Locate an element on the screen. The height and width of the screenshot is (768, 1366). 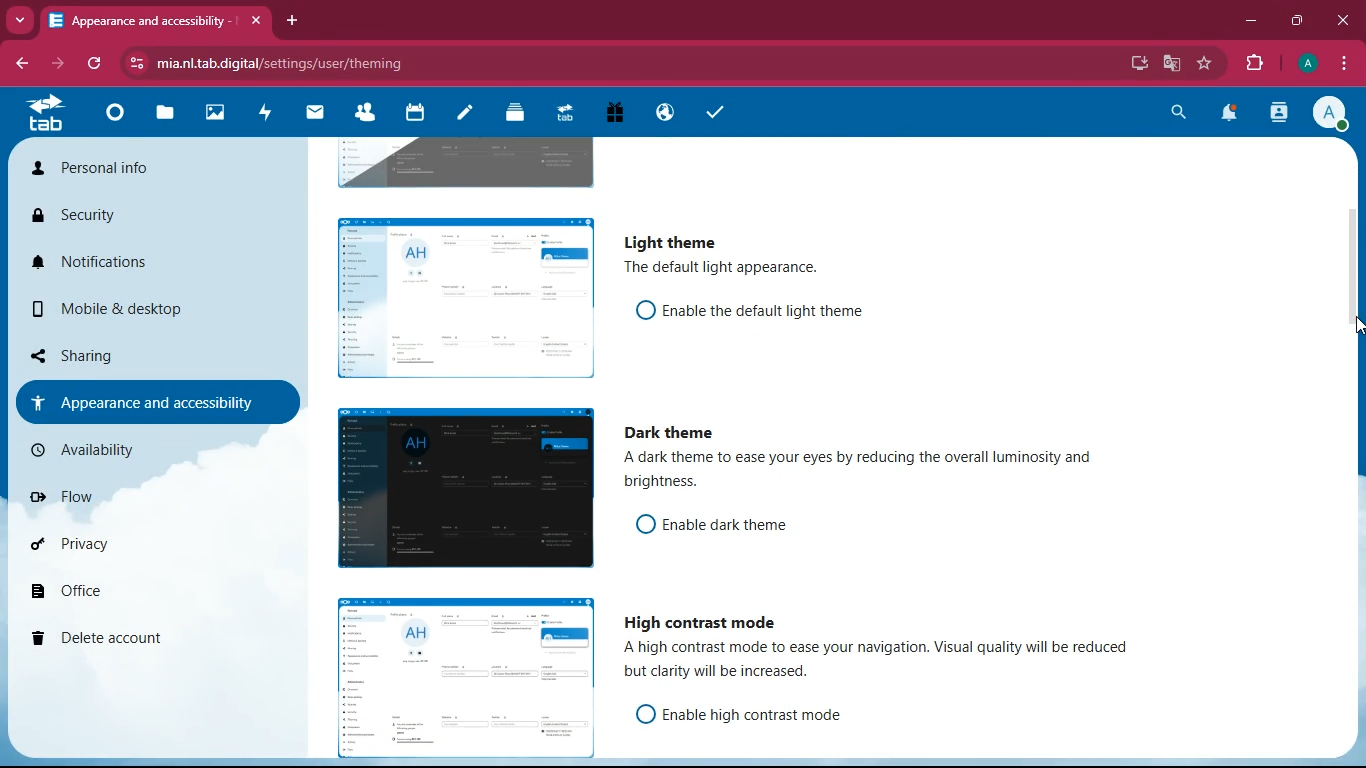
flow is located at coordinates (120, 496).